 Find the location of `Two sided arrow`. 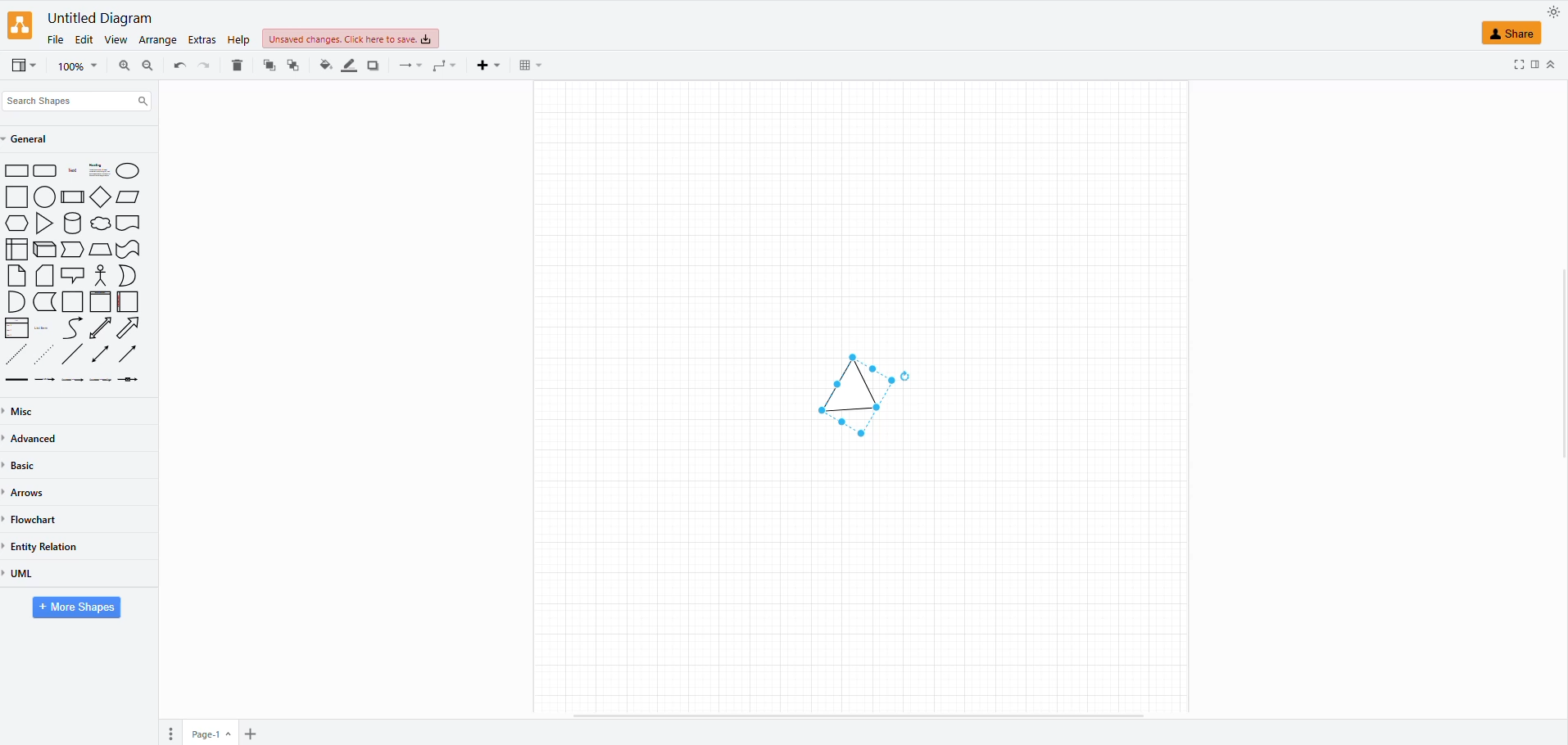

Two sided arrow is located at coordinates (100, 354).